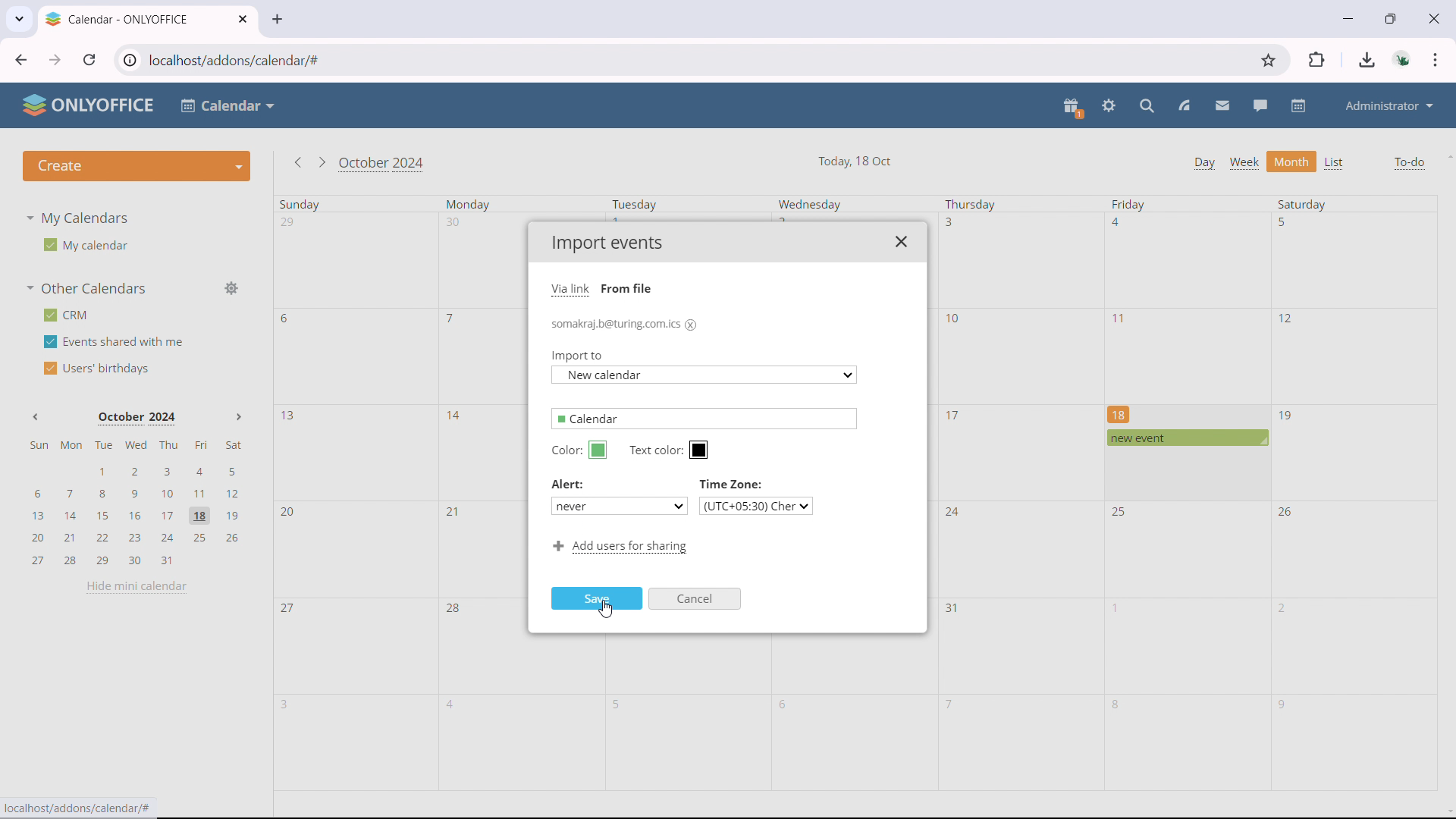 This screenshot has height=819, width=1456. I want to click on new tab, so click(277, 20).